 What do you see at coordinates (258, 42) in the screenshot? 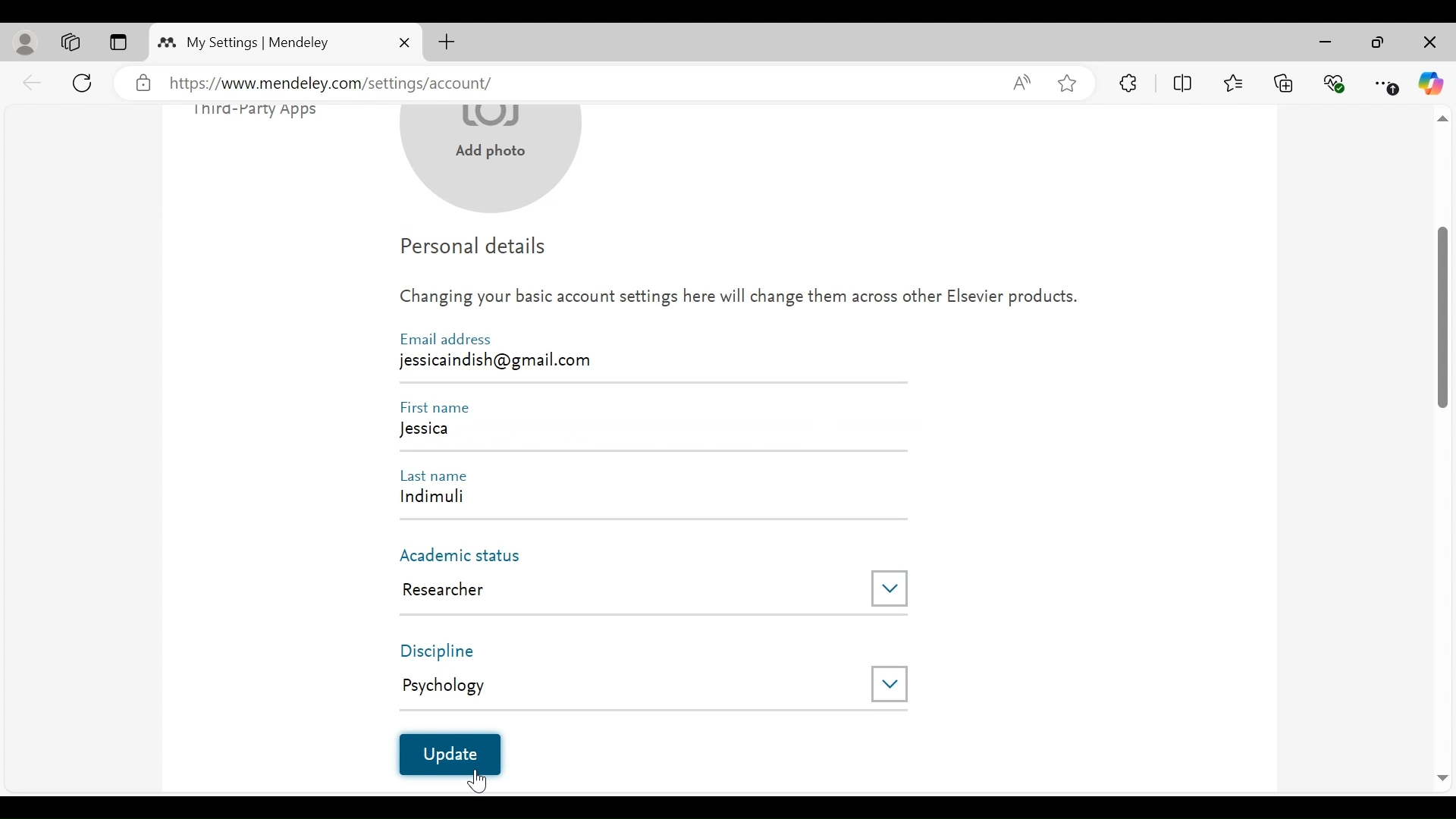
I see `My Settings | Mendeley` at bounding box center [258, 42].